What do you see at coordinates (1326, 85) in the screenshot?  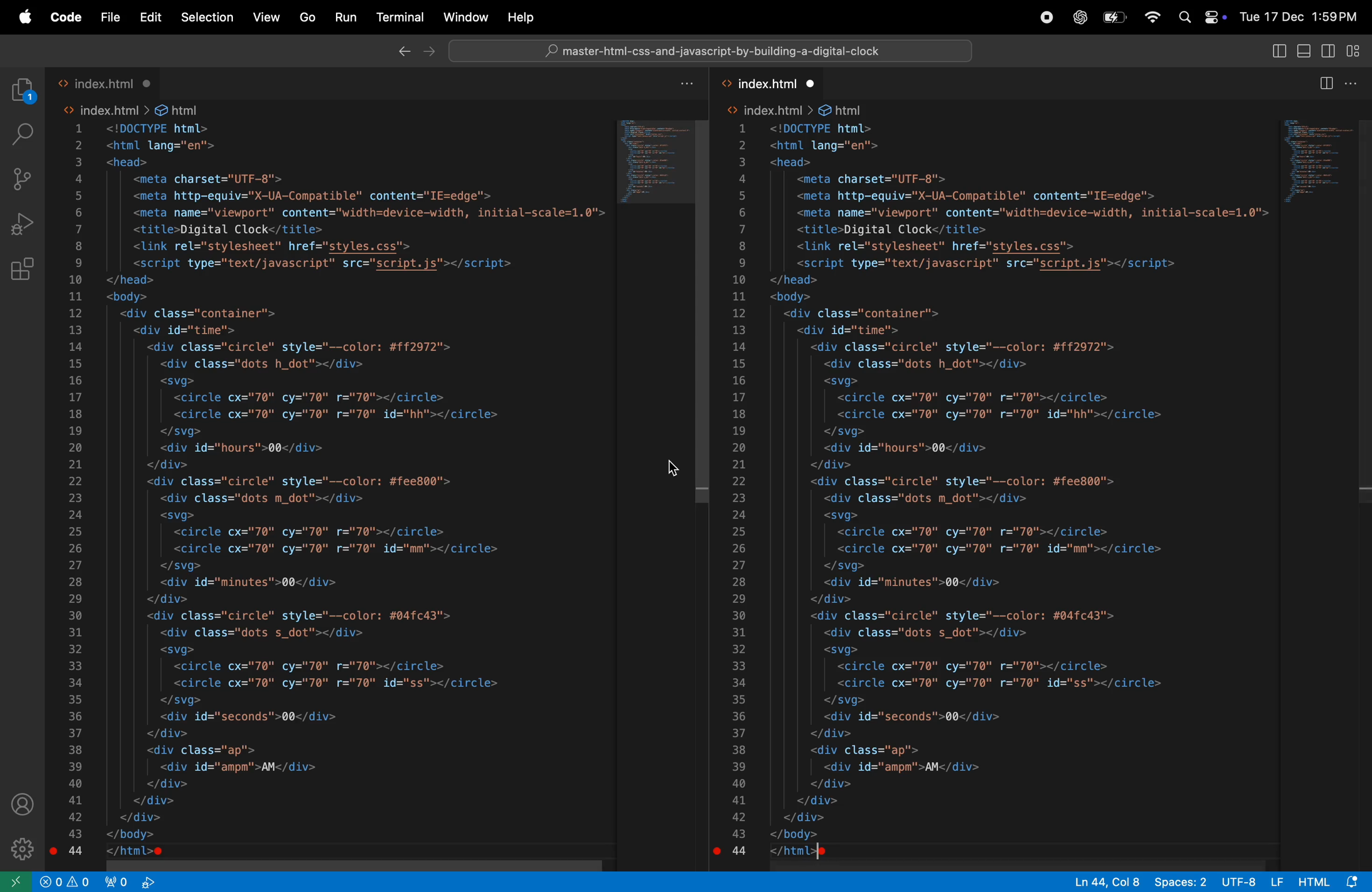 I see `split editor to right` at bounding box center [1326, 85].